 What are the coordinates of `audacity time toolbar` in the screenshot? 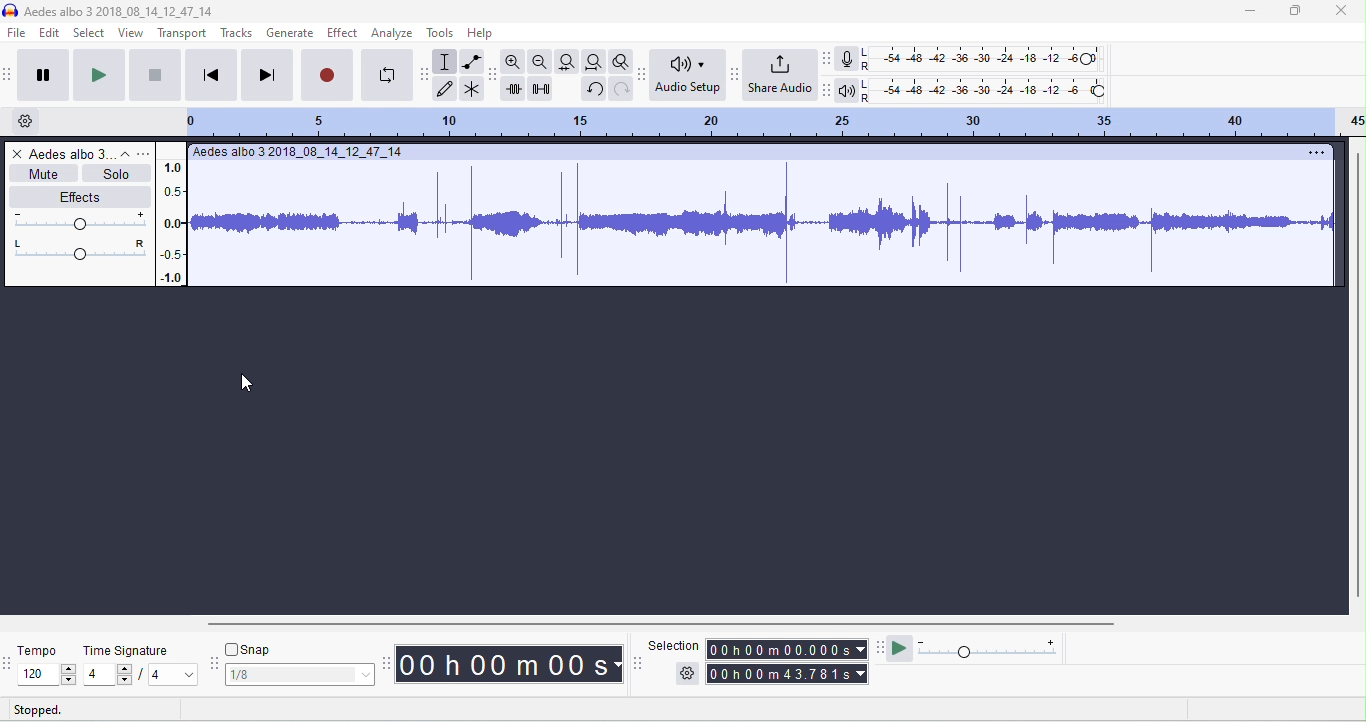 It's located at (386, 662).